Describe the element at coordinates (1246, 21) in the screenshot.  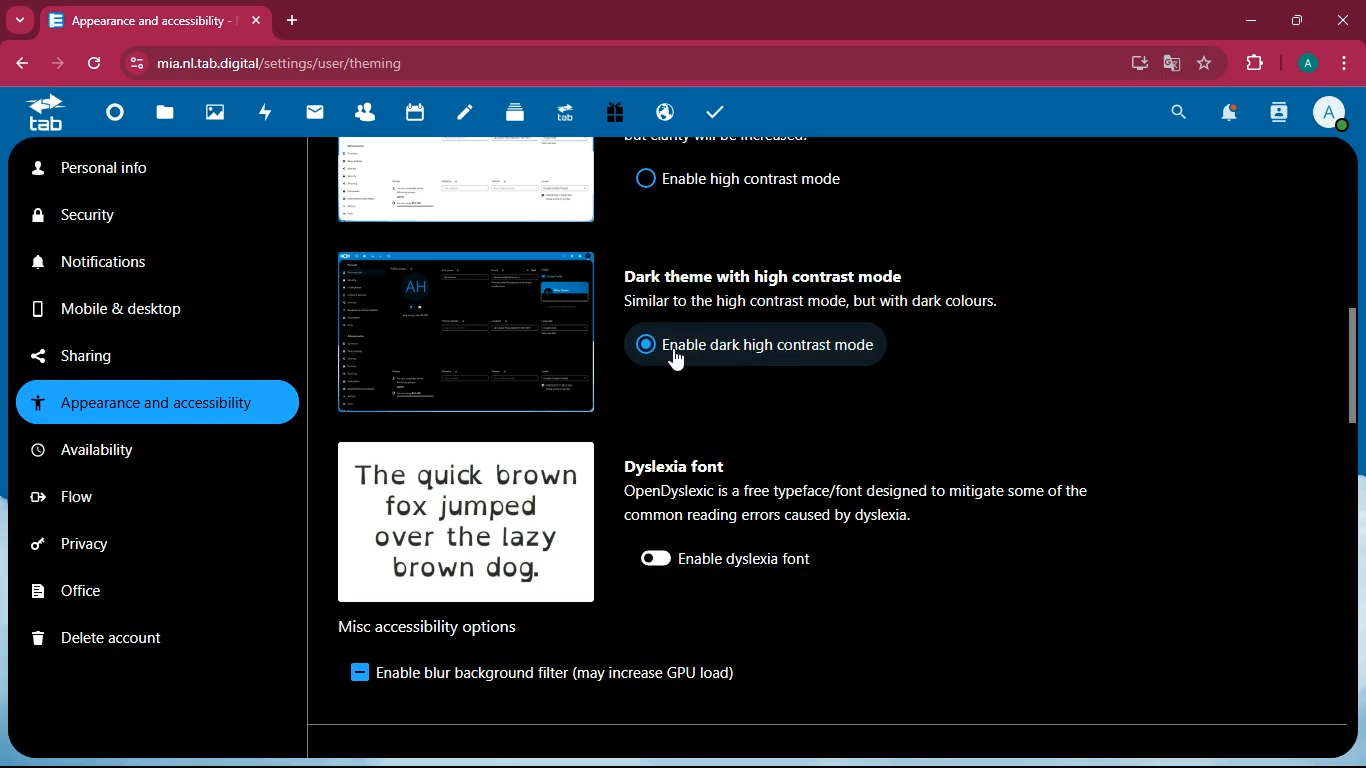
I see `minimize` at that location.